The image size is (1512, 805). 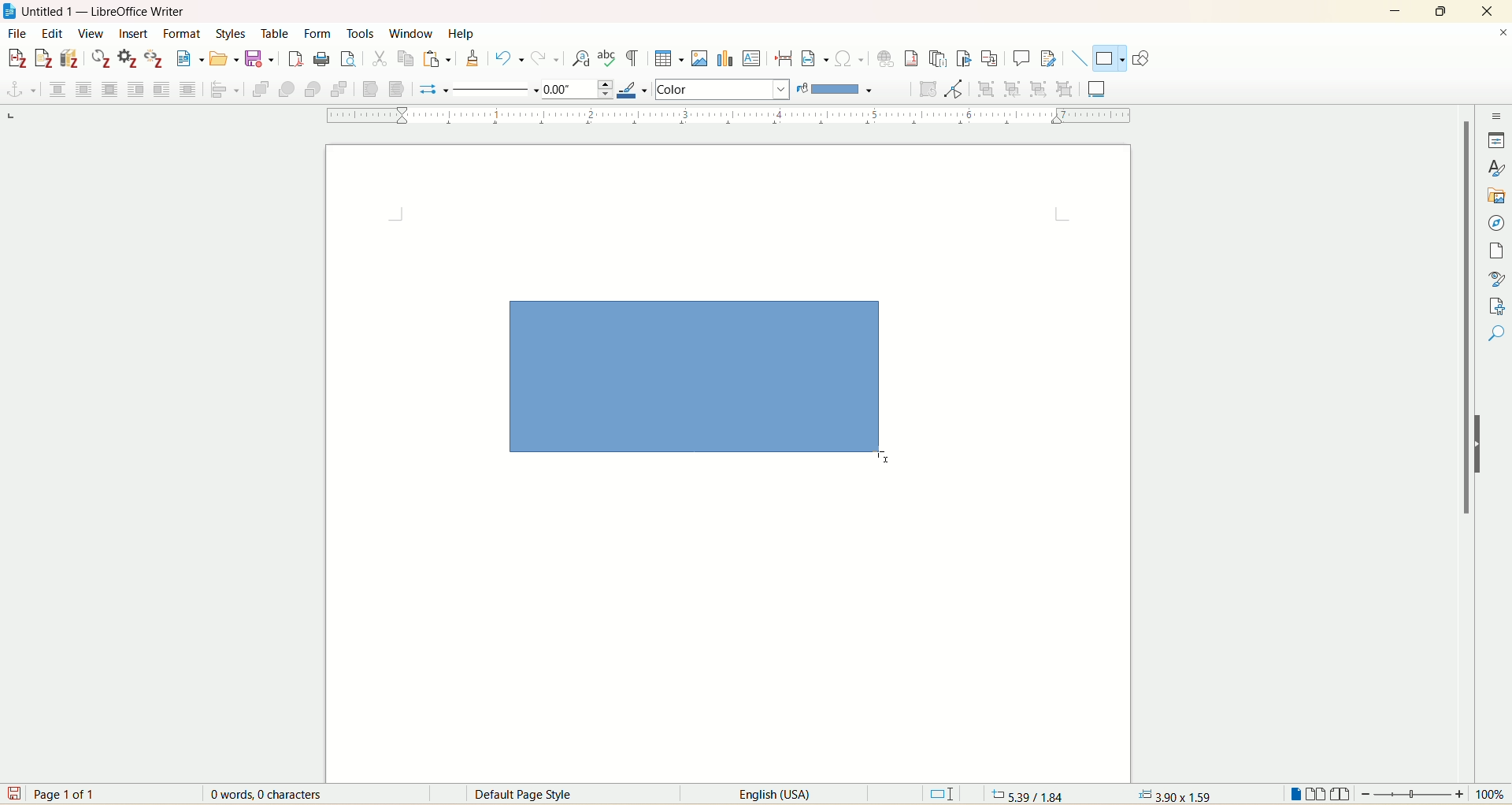 What do you see at coordinates (1496, 140) in the screenshot?
I see `properties` at bounding box center [1496, 140].